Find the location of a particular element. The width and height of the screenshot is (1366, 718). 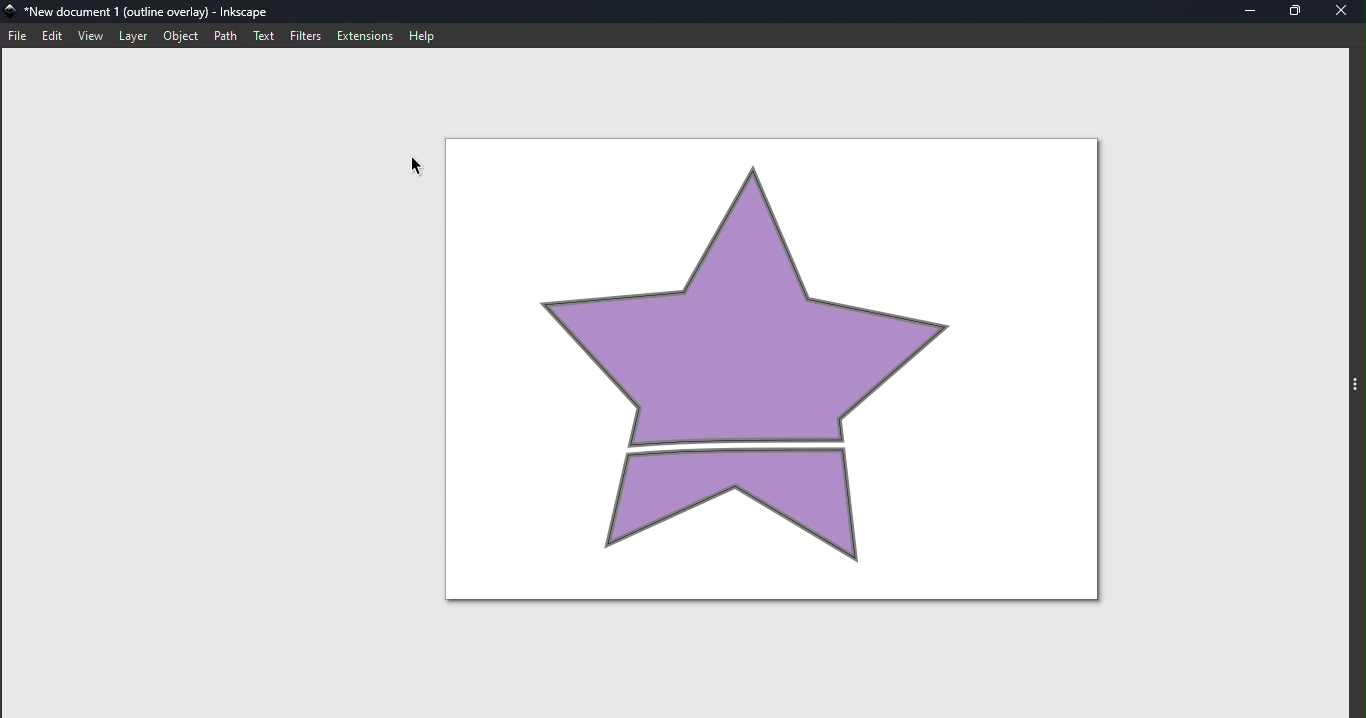

Object is located at coordinates (179, 36).